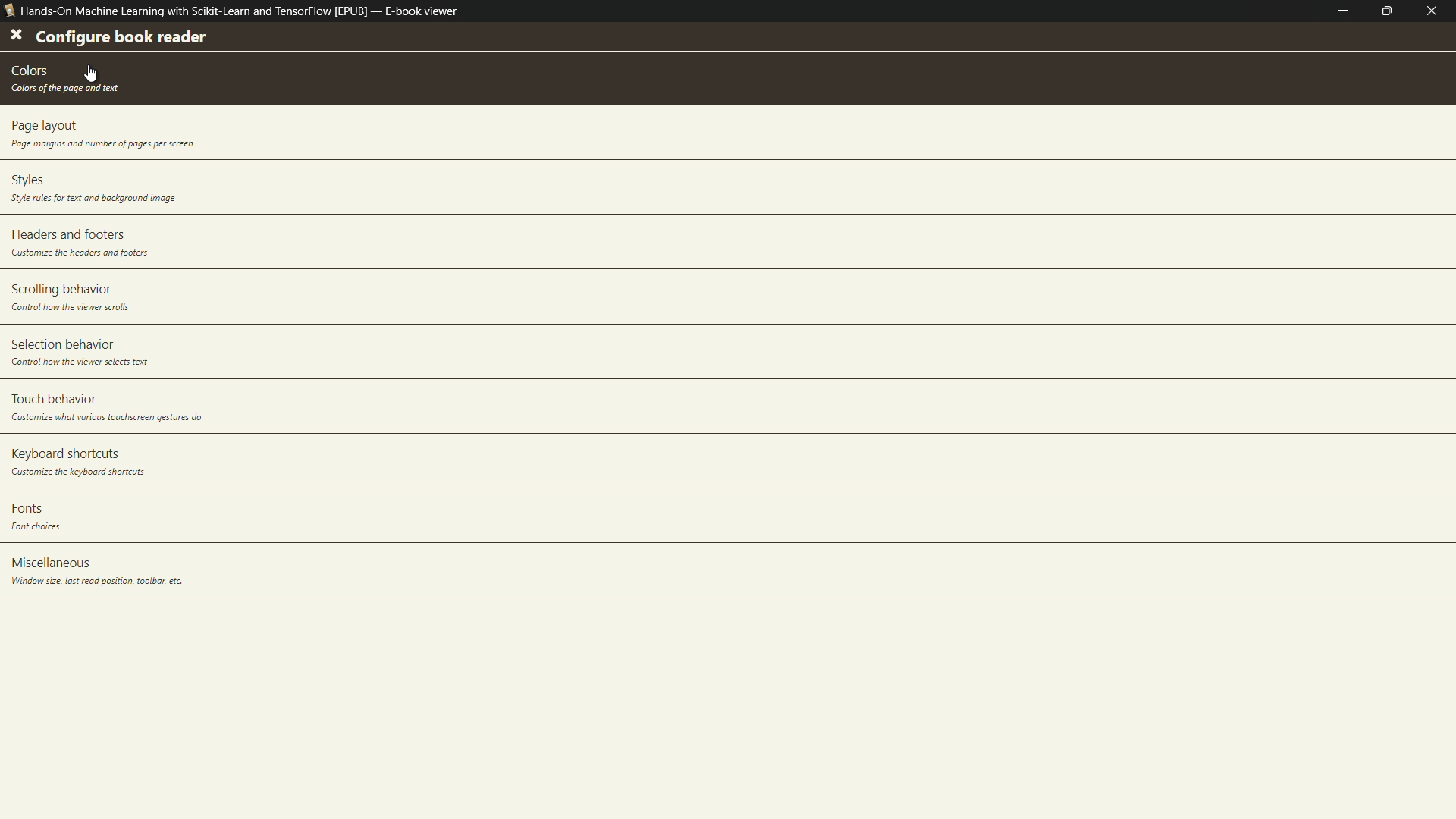 The height and width of the screenshot is (819, 1456). What do you see at coordinates (40, 528) in the screenshot?
I see `text` at bounding box center [40, 528].